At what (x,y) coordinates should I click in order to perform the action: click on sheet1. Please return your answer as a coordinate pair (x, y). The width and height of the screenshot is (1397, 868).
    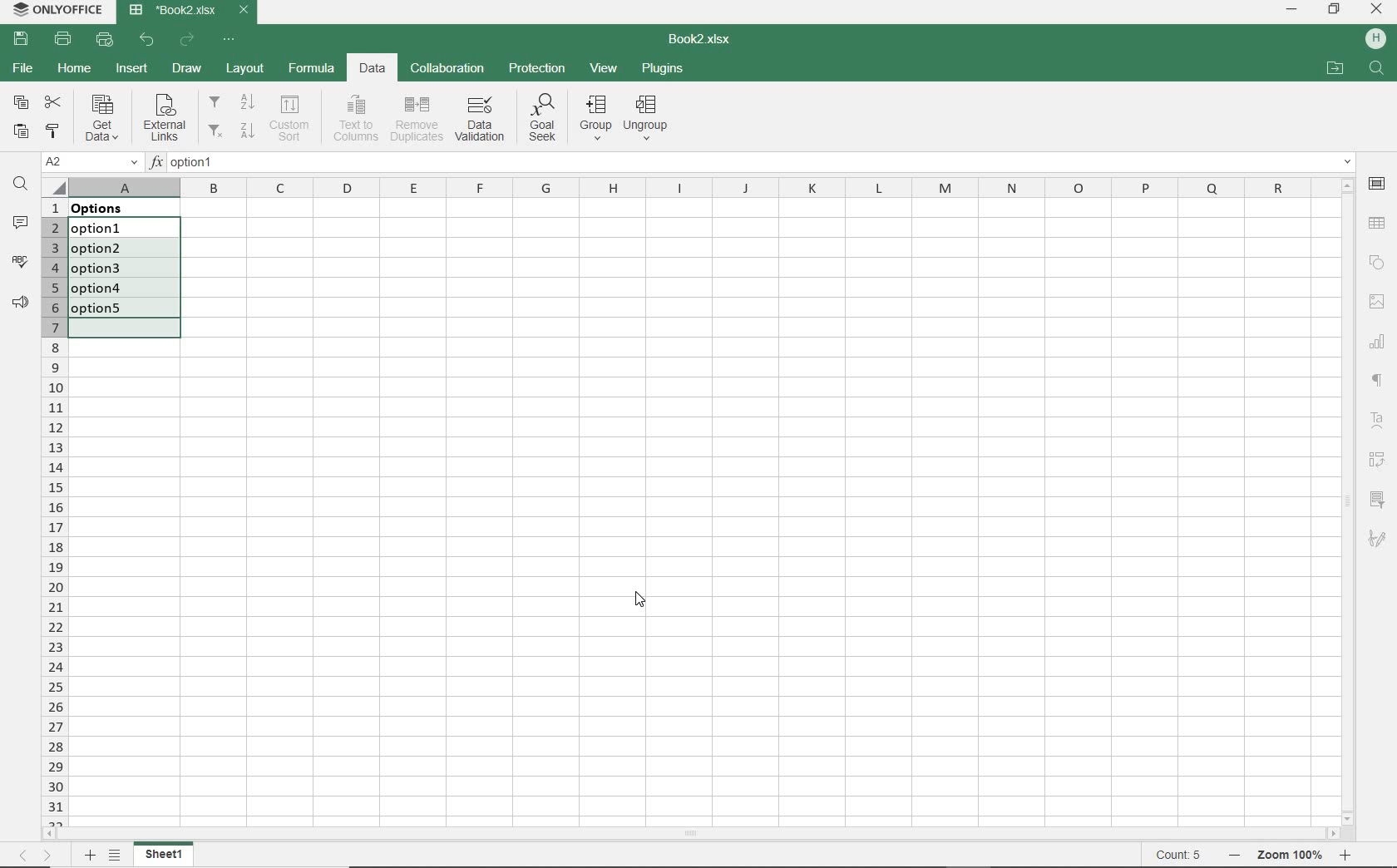
    Looking at the image, I should click on (165, 855).